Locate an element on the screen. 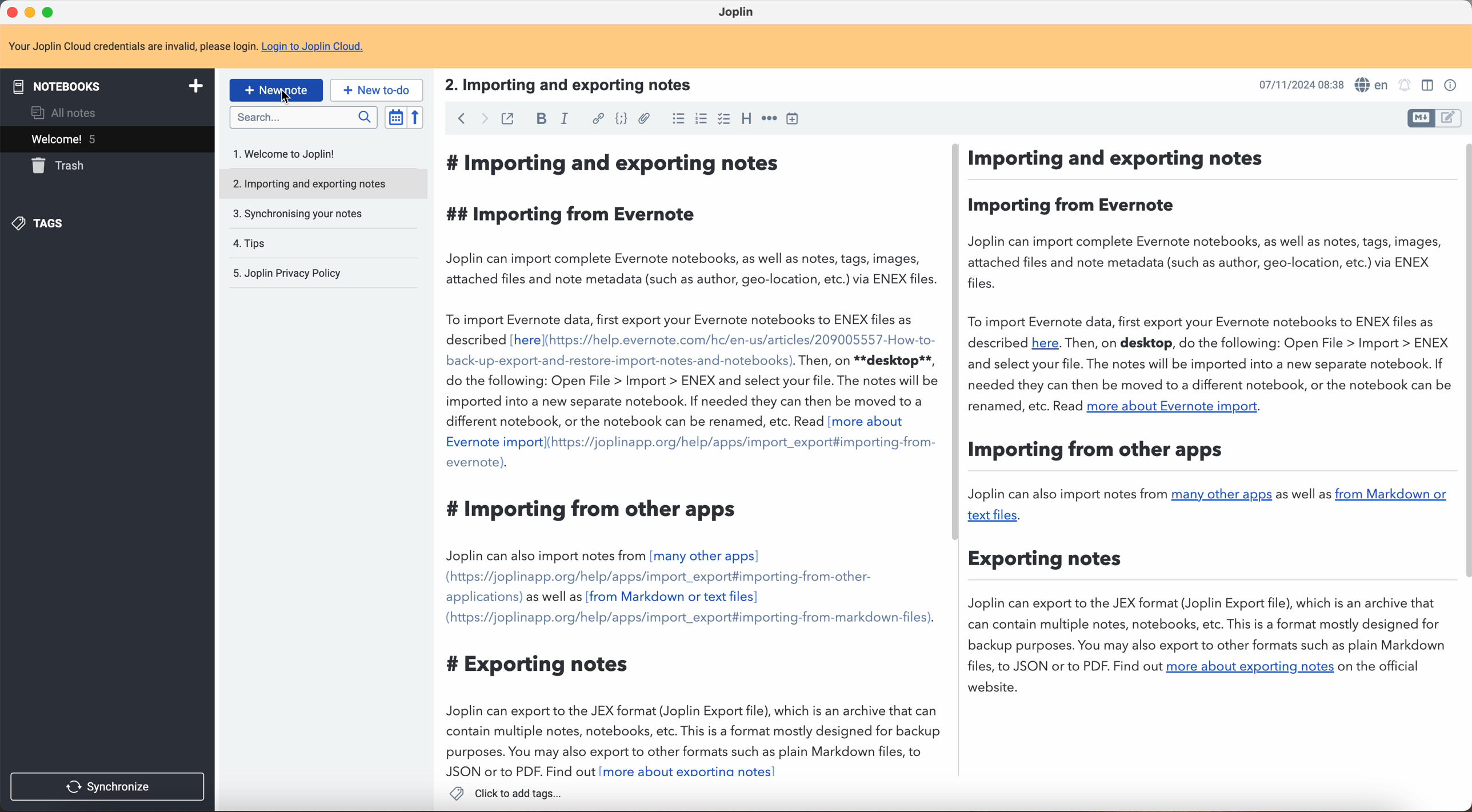 This screenshot has height=812, width=1472. new to-do is located at coordinates (376, 89).